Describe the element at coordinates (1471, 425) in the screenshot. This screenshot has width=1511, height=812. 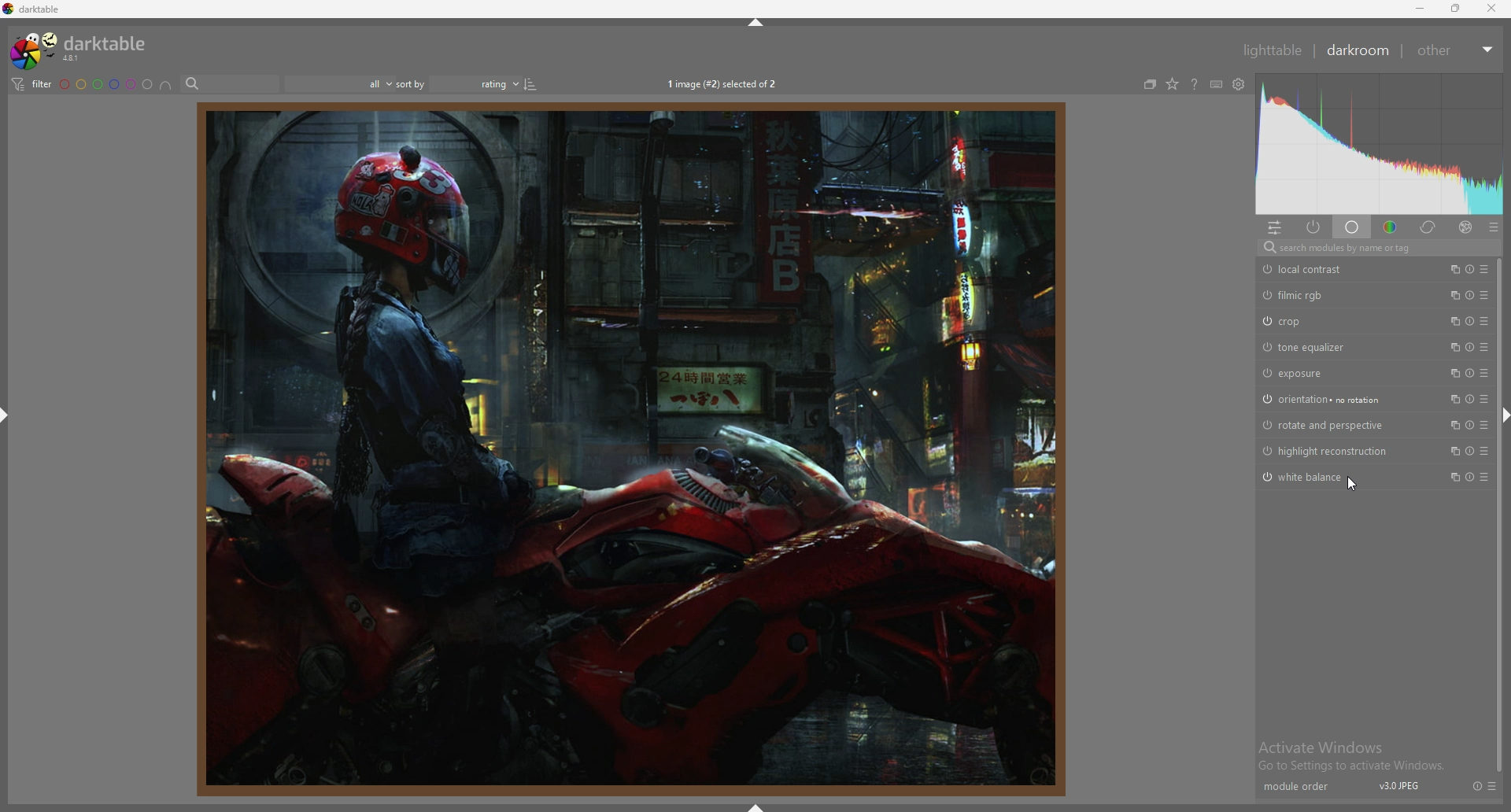
I see `reset` at that location.